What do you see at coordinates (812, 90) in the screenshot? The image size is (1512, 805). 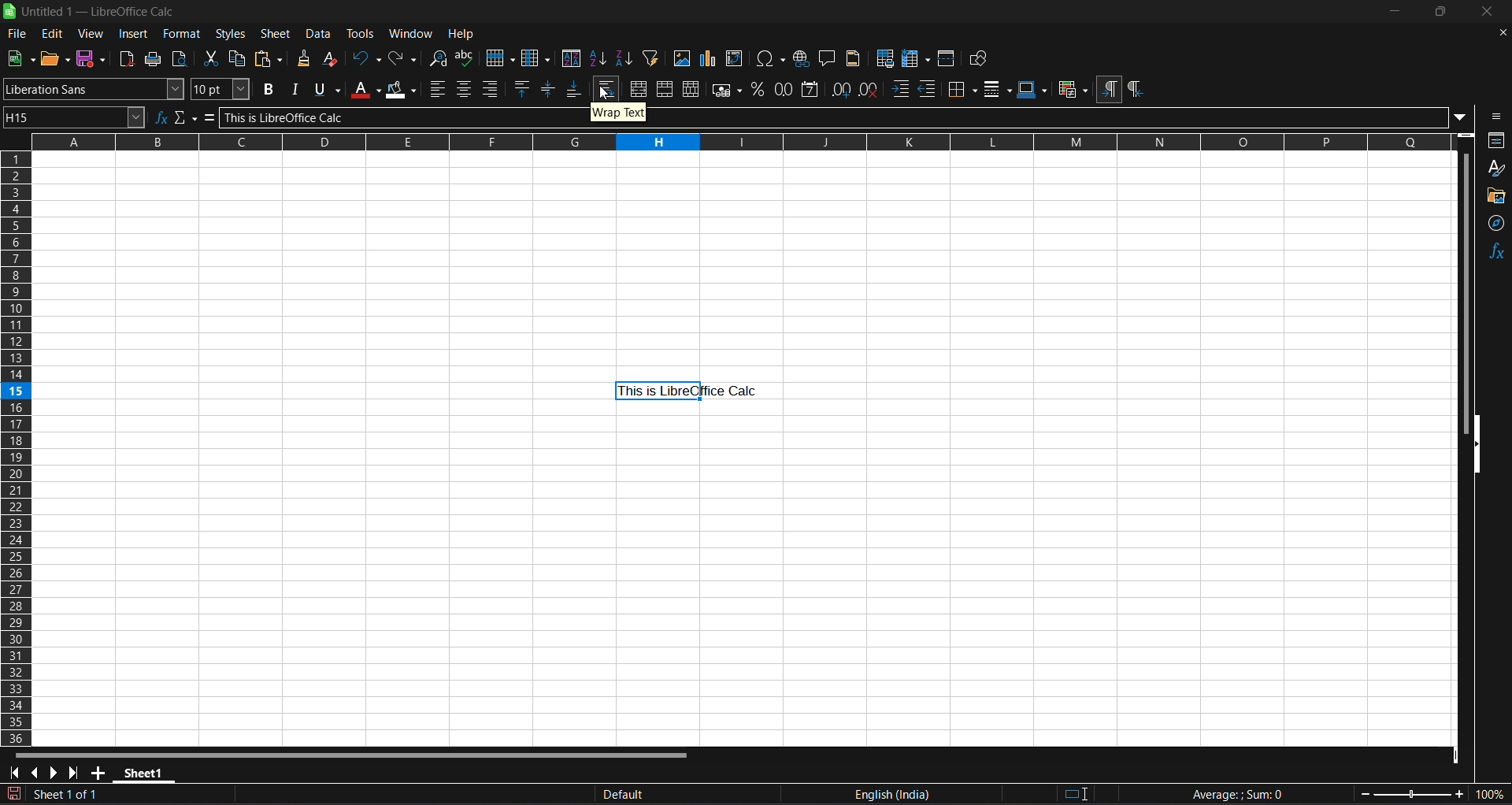 I see `format as date` at bounding box center [812, 90].